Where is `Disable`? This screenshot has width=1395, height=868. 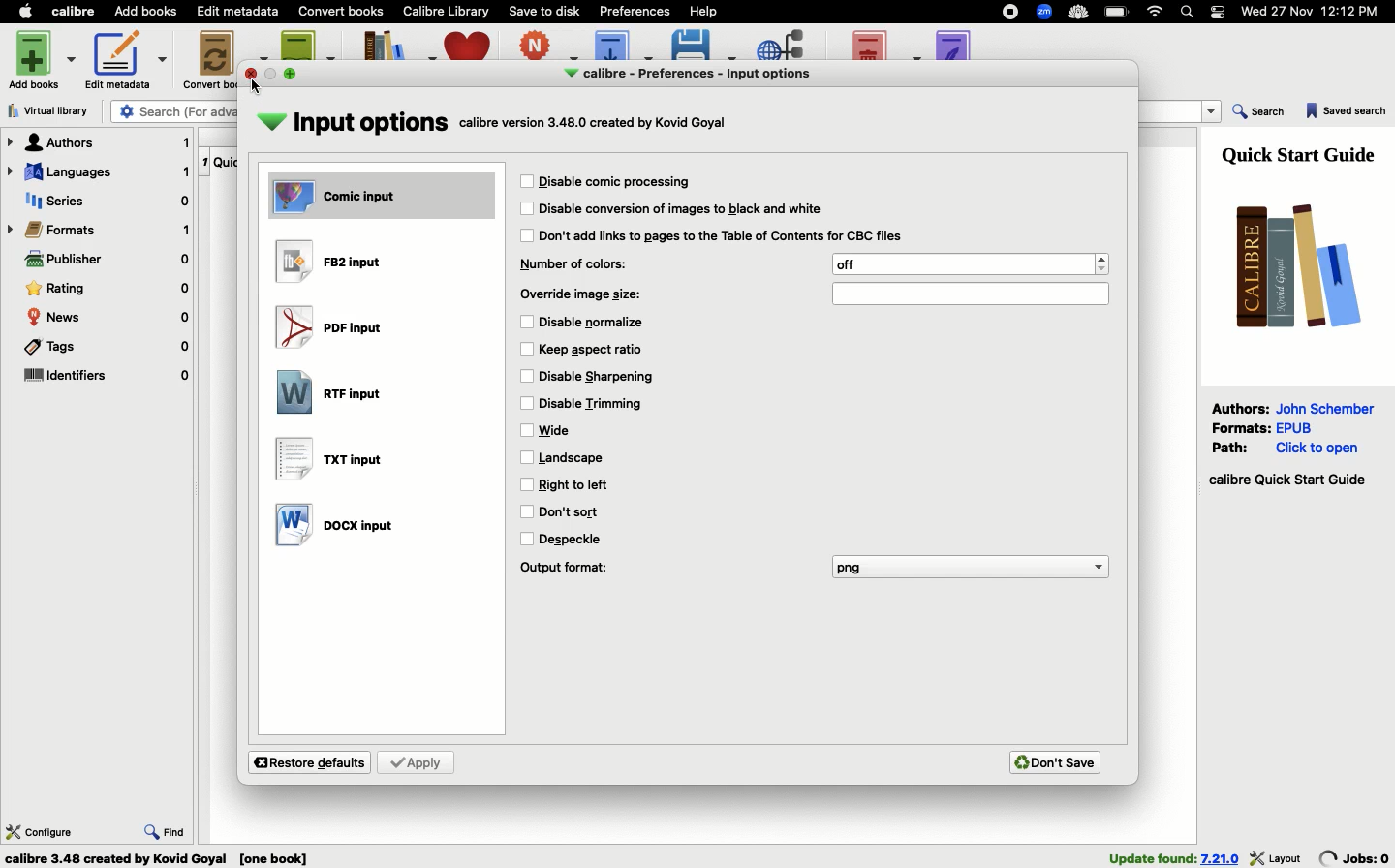
Disable is located at coordinates (595, 323).